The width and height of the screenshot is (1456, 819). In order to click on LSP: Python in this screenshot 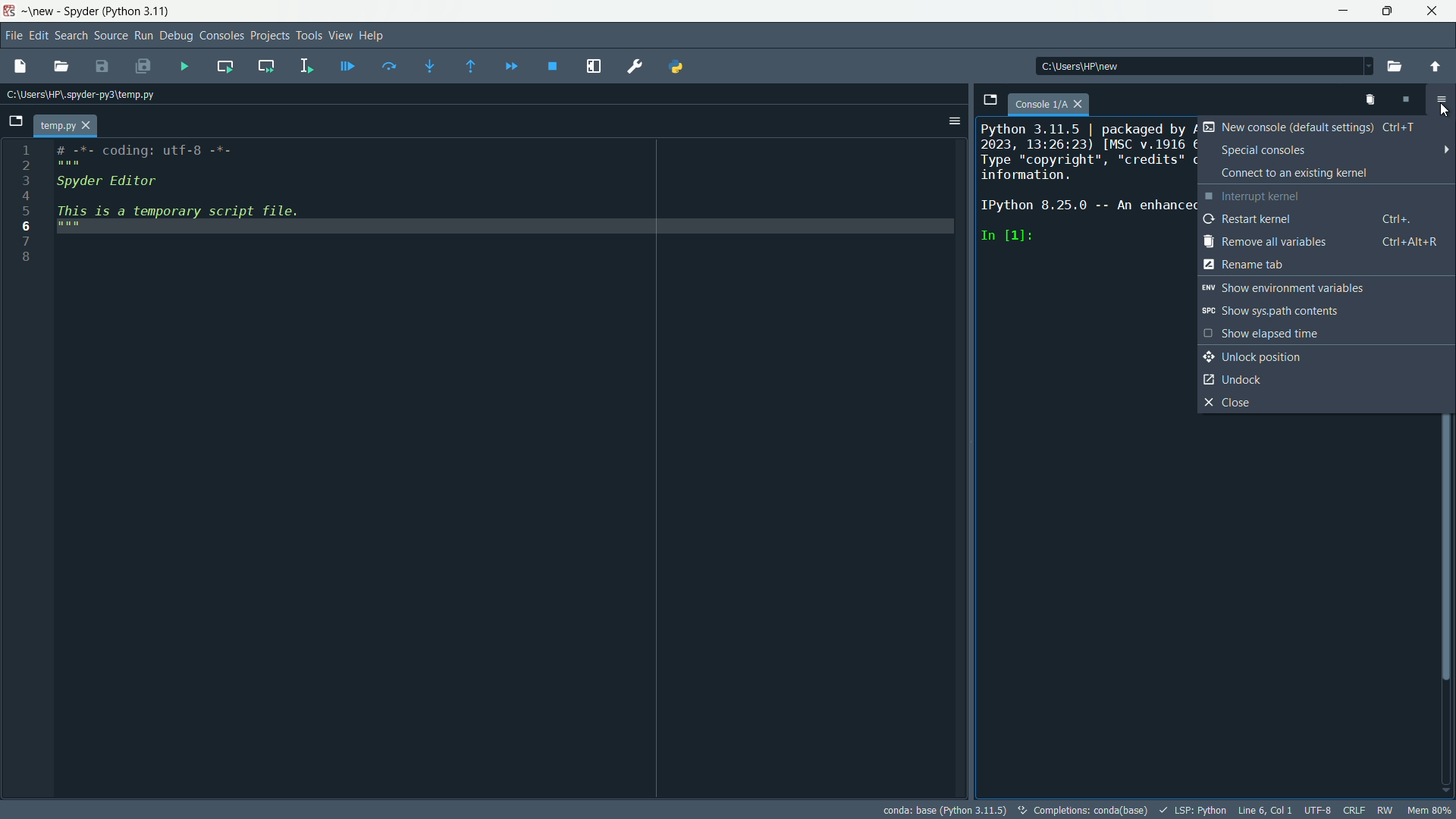, I will do `click(1191, 811)`.